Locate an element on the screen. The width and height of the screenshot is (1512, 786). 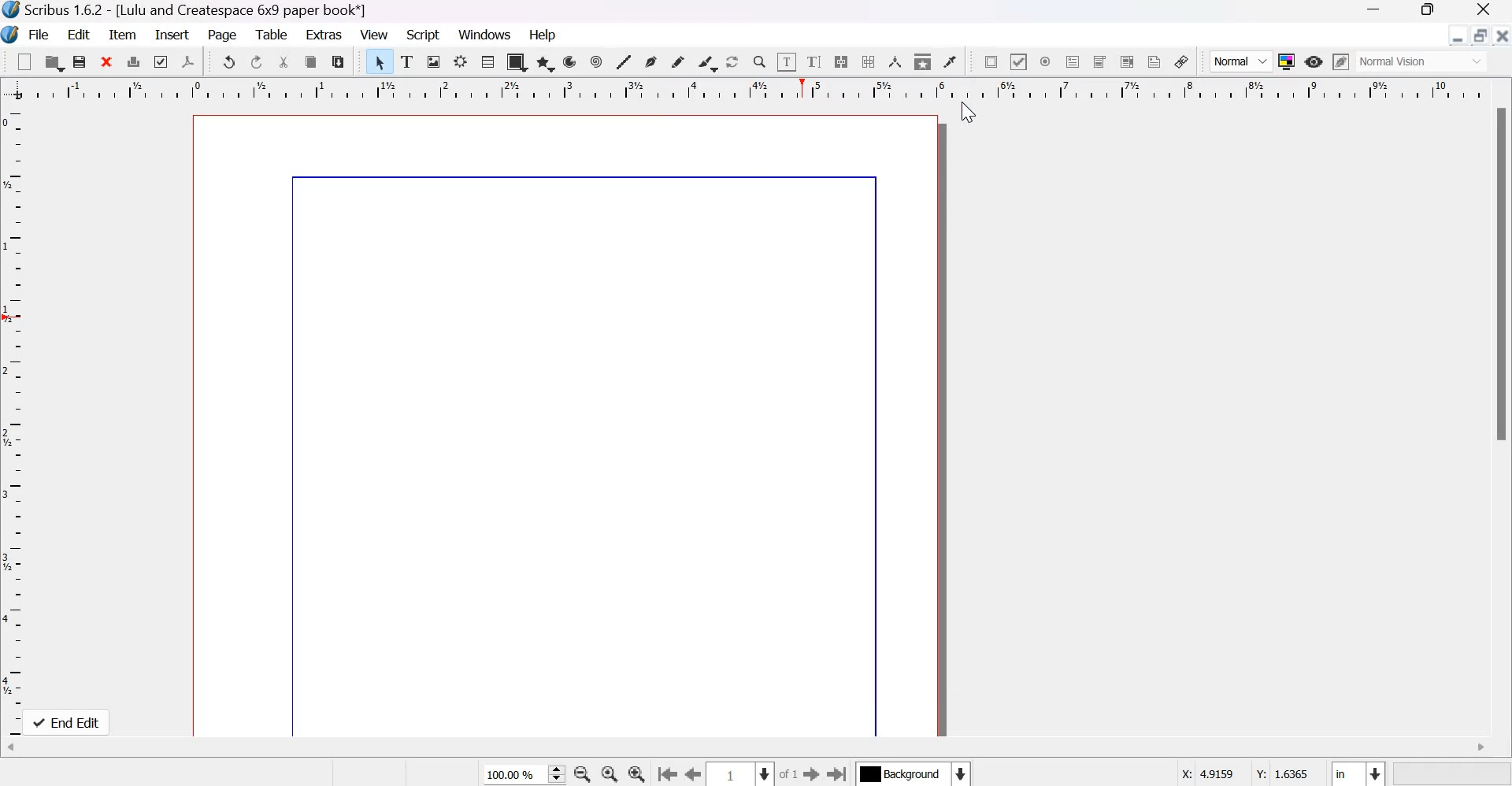
polygon is located at coordinates (545, 62).